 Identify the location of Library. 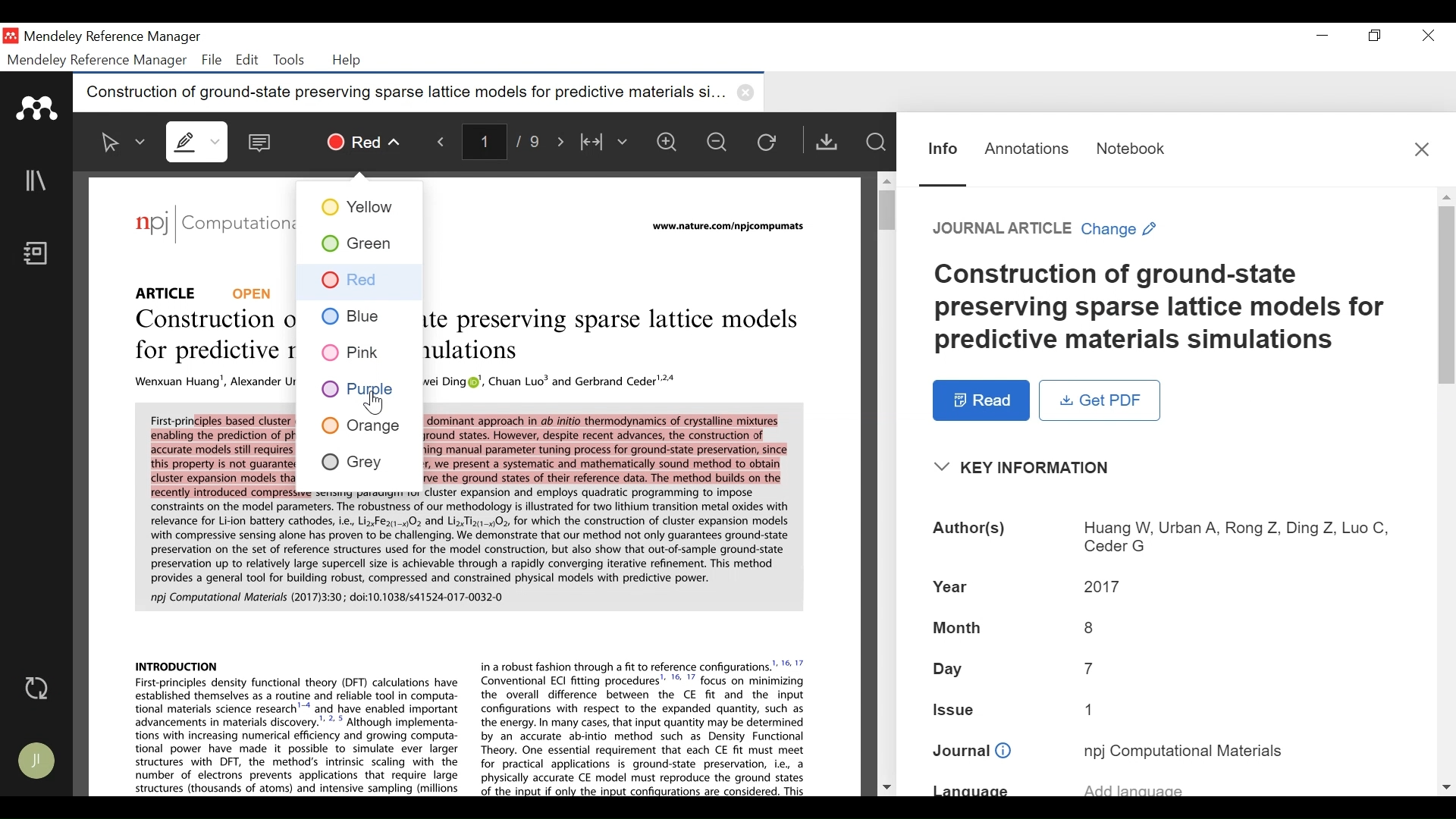
(37, 180).